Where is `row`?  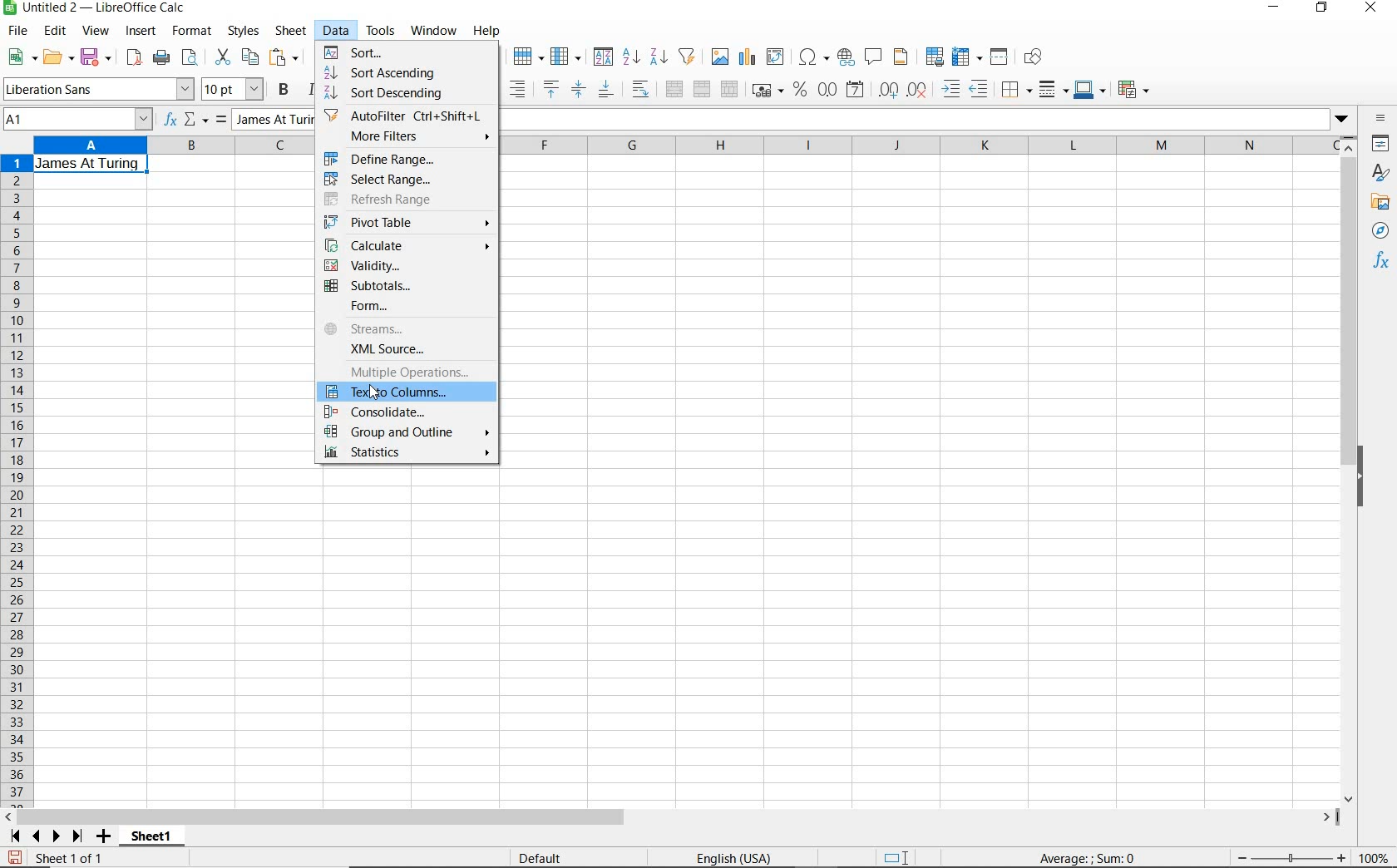
row is located at coordinates (529, 56).